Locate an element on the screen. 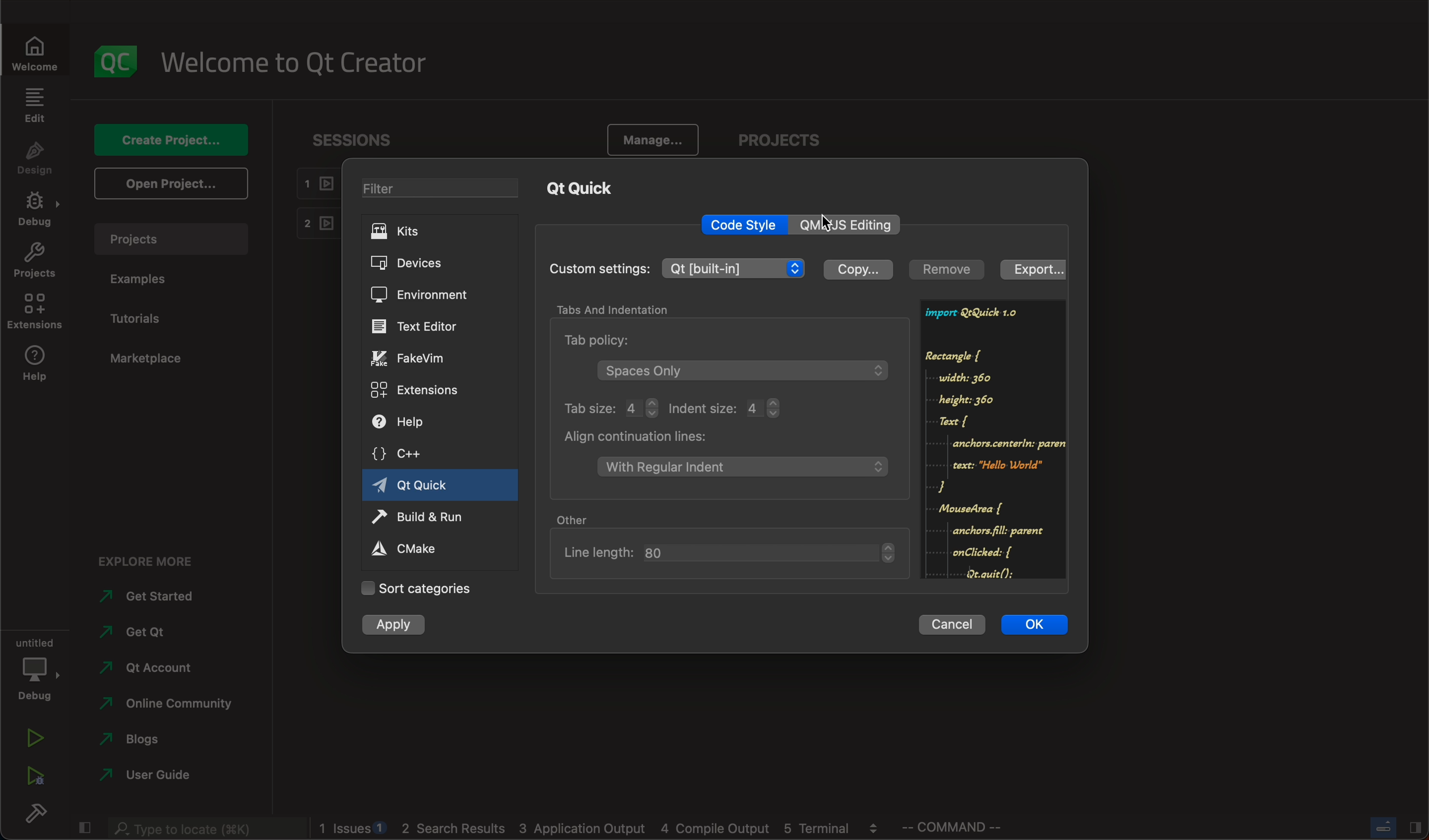 This screenshot has width=1429, height=840. cmake is located at coordinates (415, 550).